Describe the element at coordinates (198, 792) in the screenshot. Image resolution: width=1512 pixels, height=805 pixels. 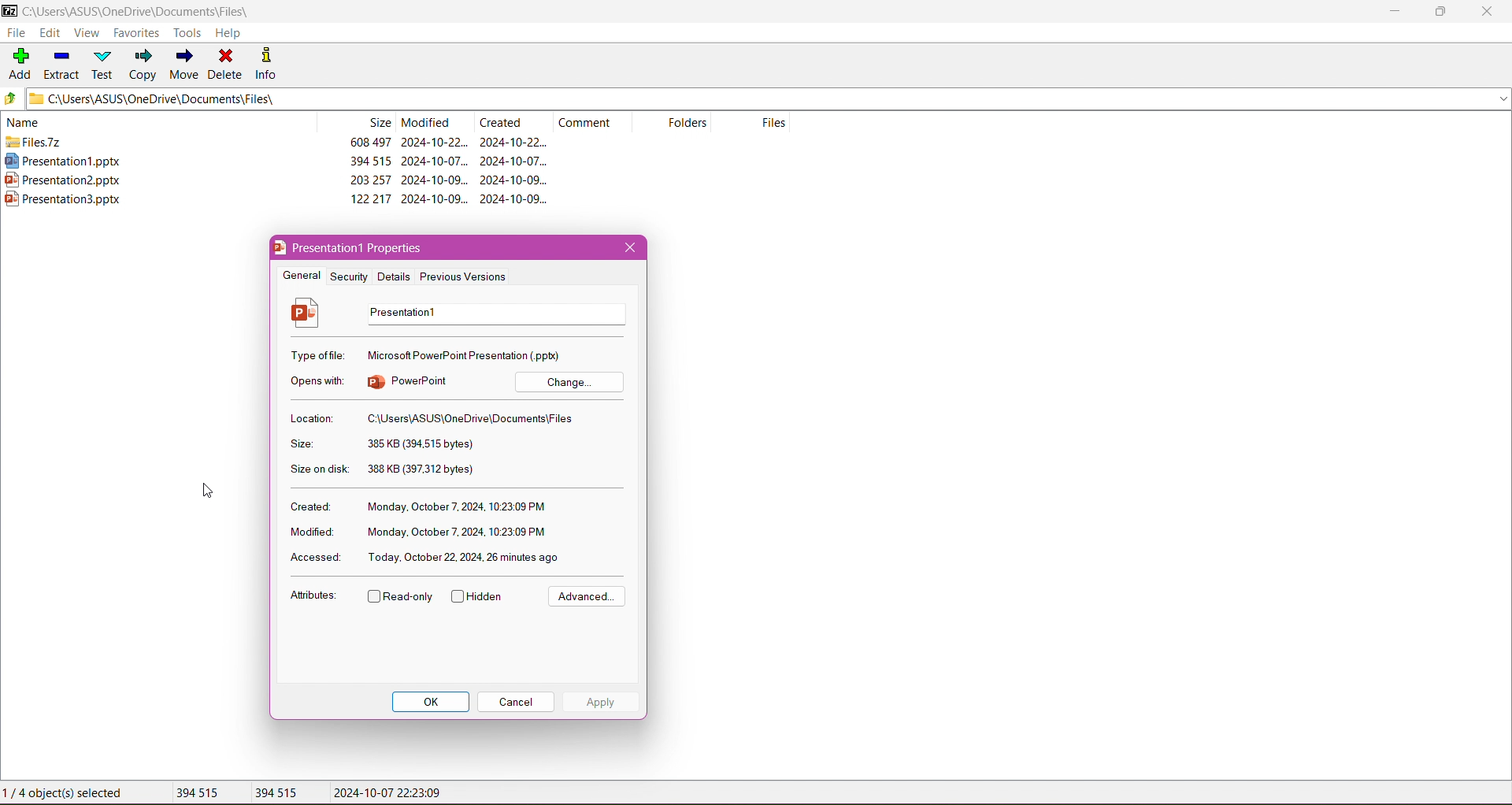
I see `394 515` at that location.